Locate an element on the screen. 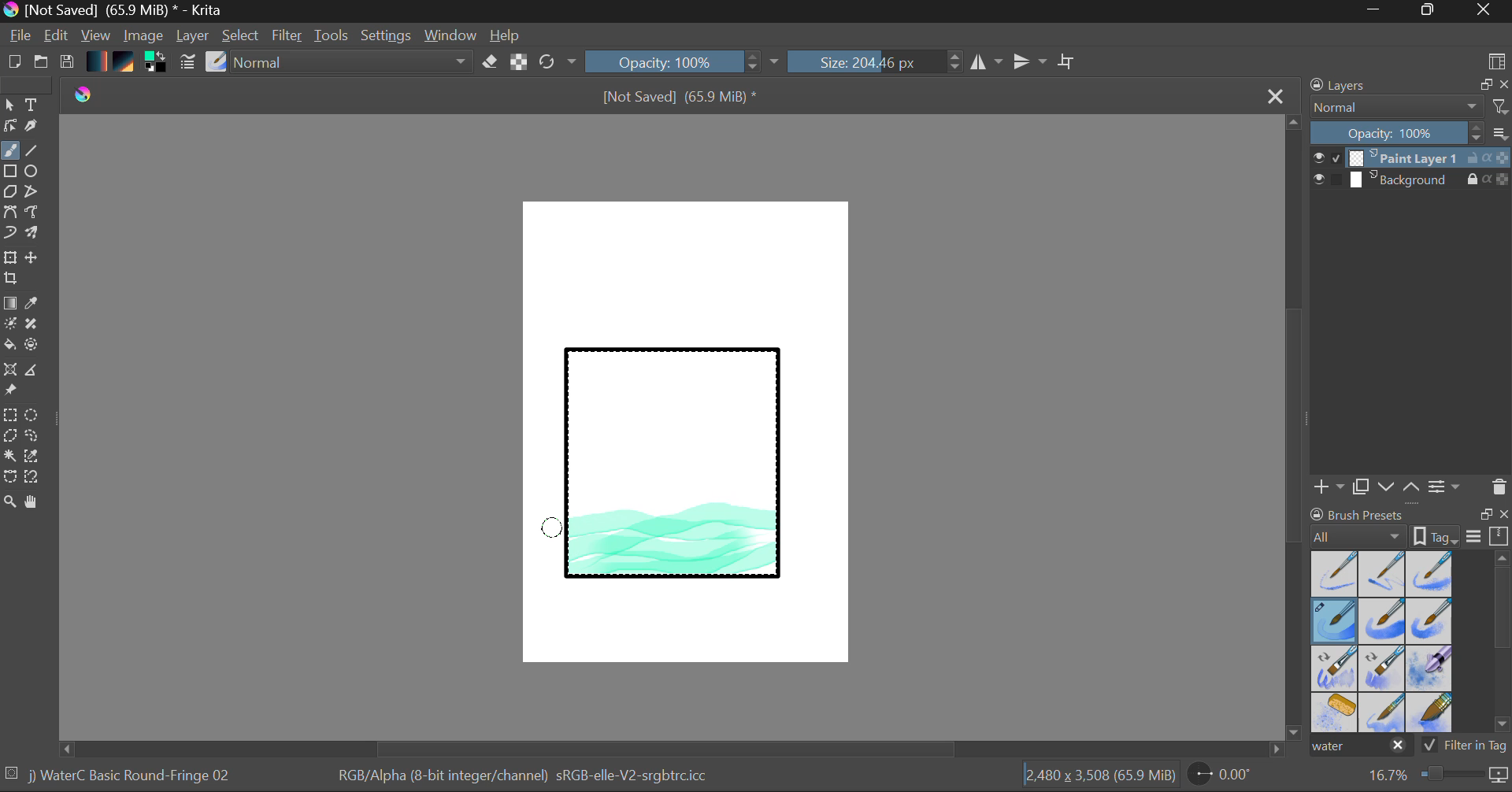  Eyedropper is located at coordinates (35, 304).